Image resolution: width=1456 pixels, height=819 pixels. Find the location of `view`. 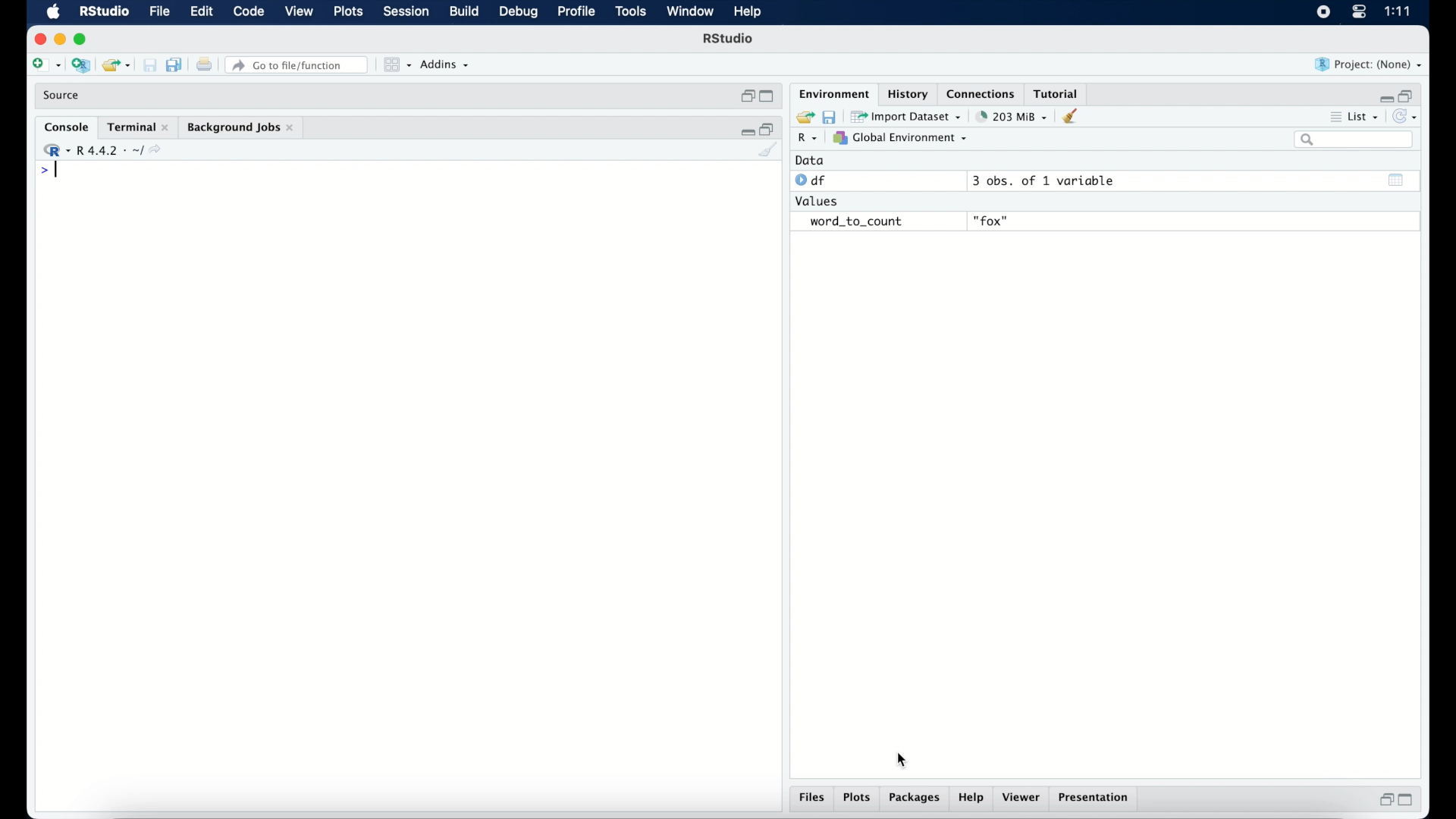

view is located at coordinates (299, 12).